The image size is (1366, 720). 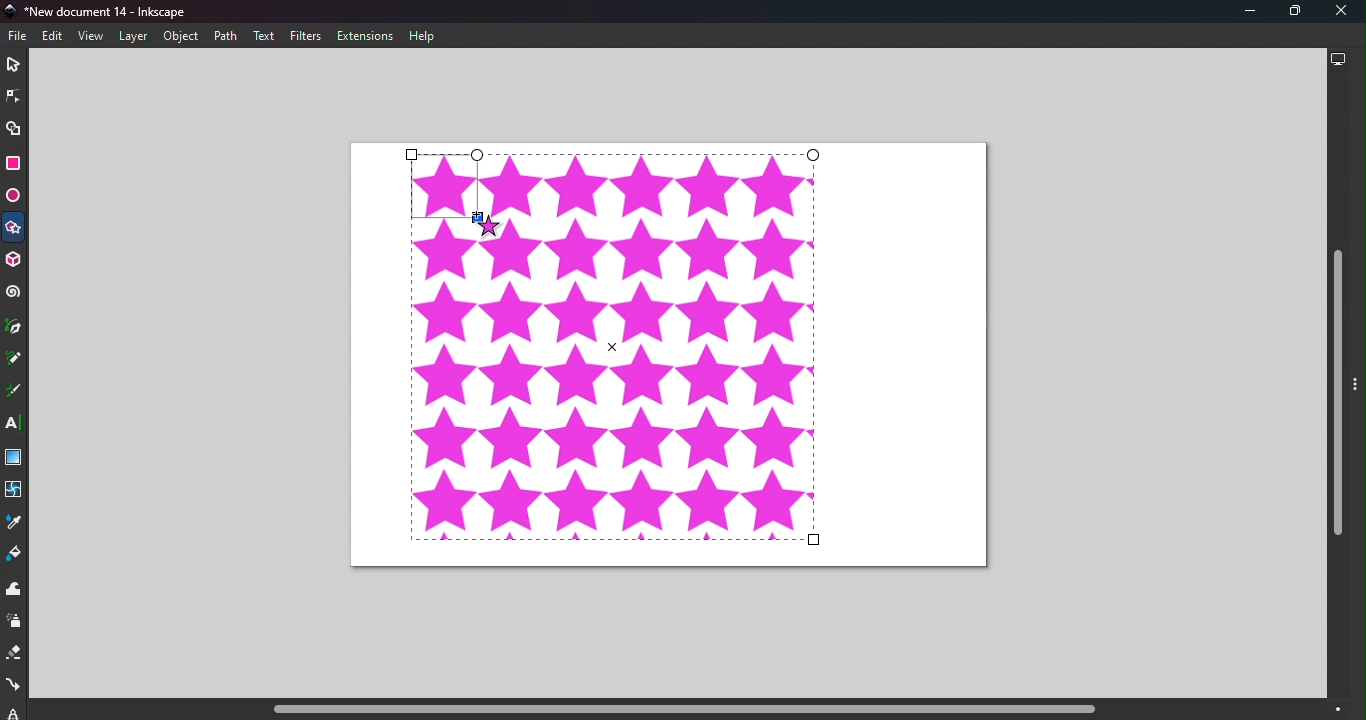 I want to click on Pen tool, so click(x=15, y=327).